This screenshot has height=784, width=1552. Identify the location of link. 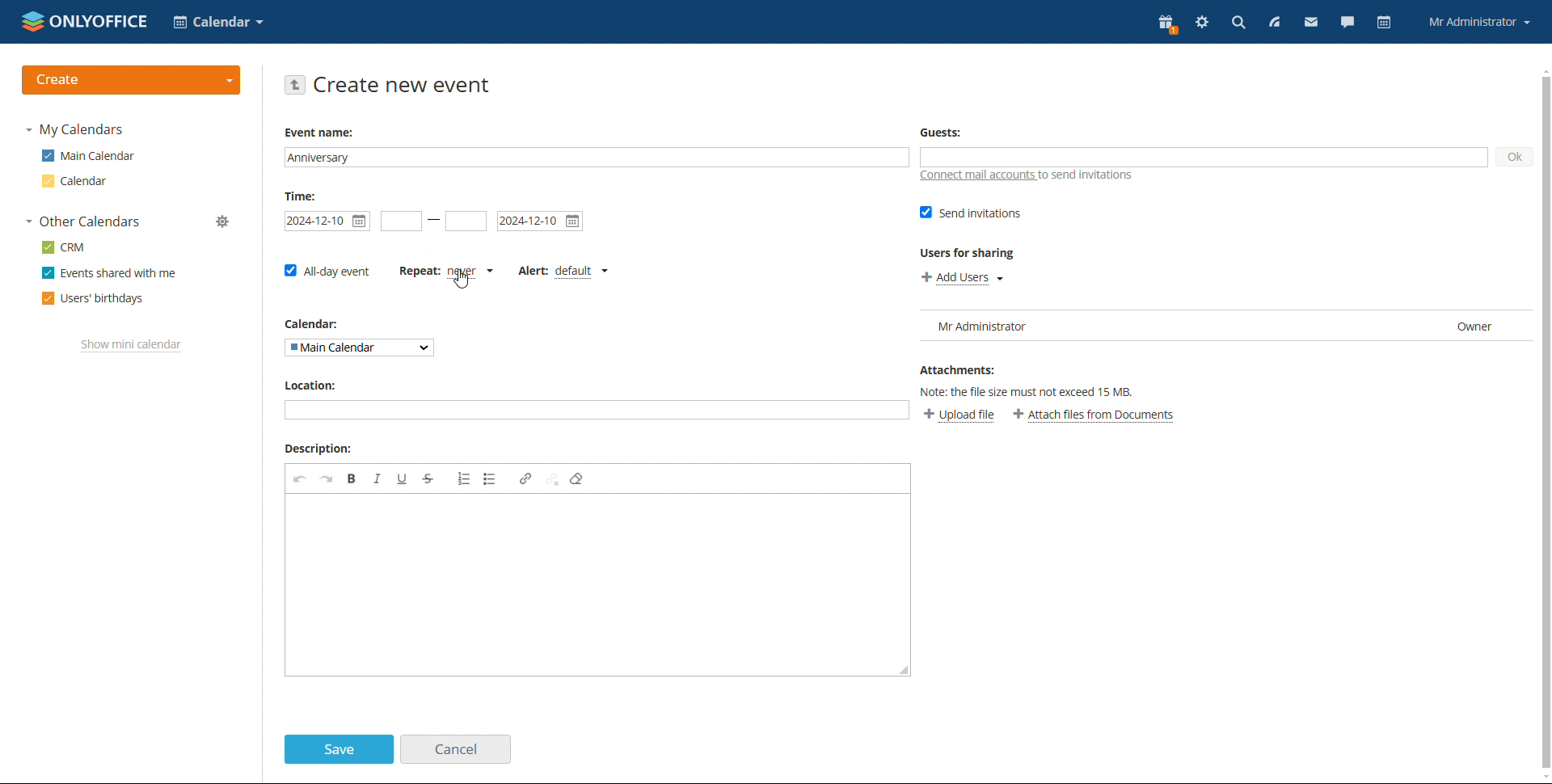
(526, 478).